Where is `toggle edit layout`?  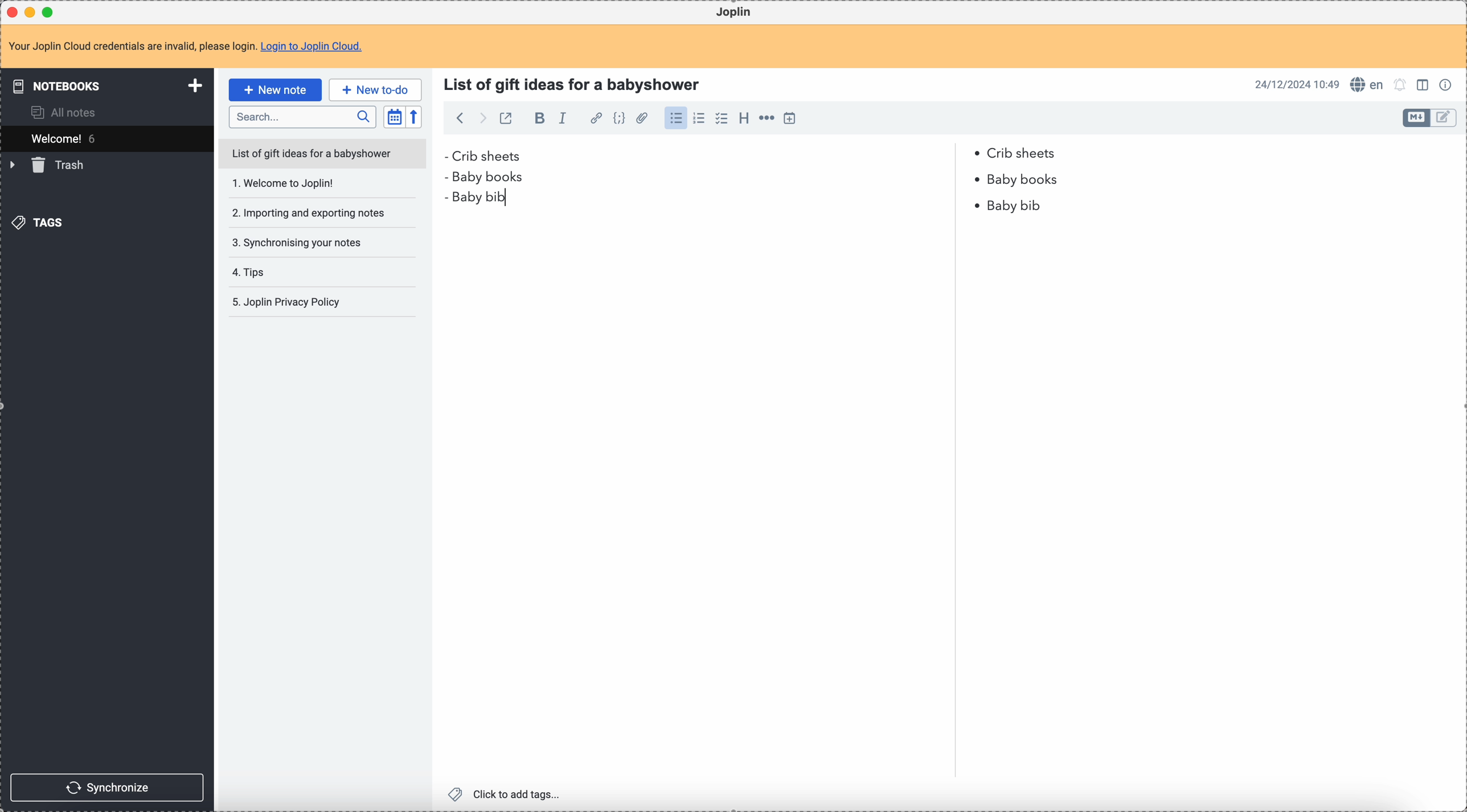 toggle edit layout is located at coordinates (1416, 118).